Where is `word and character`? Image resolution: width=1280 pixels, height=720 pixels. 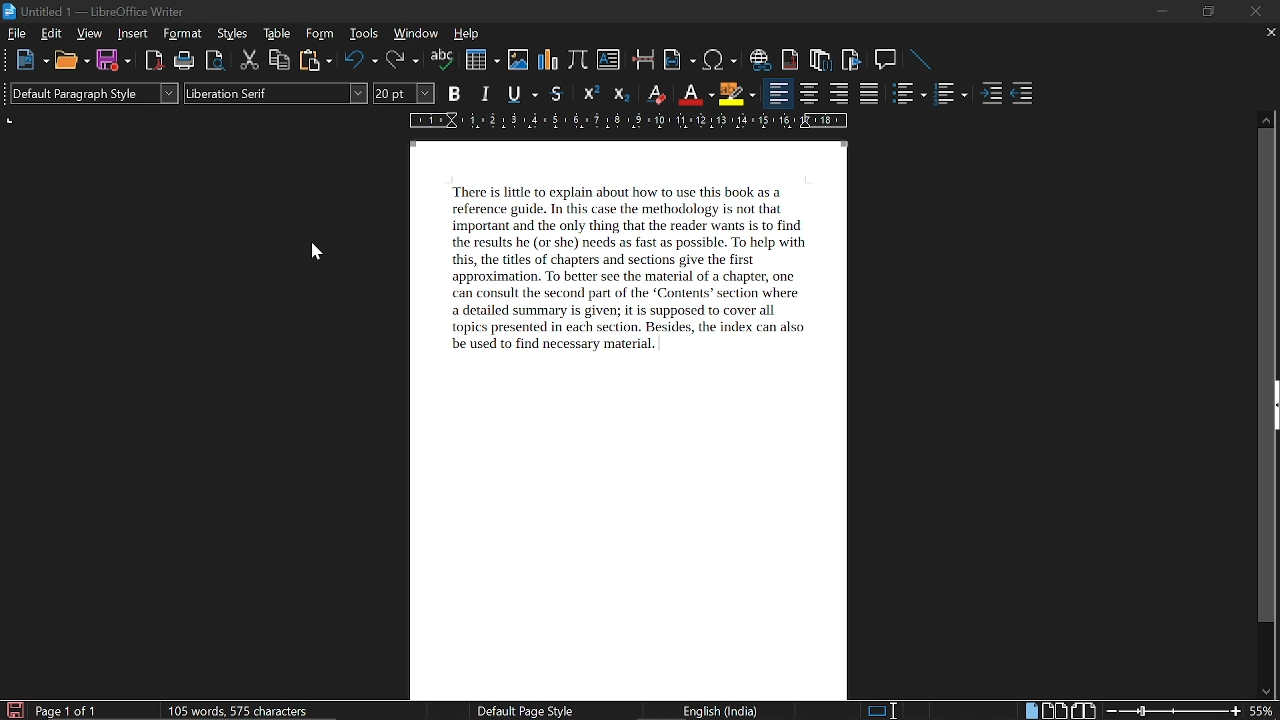
word and character is located at coordinates (242, 710).